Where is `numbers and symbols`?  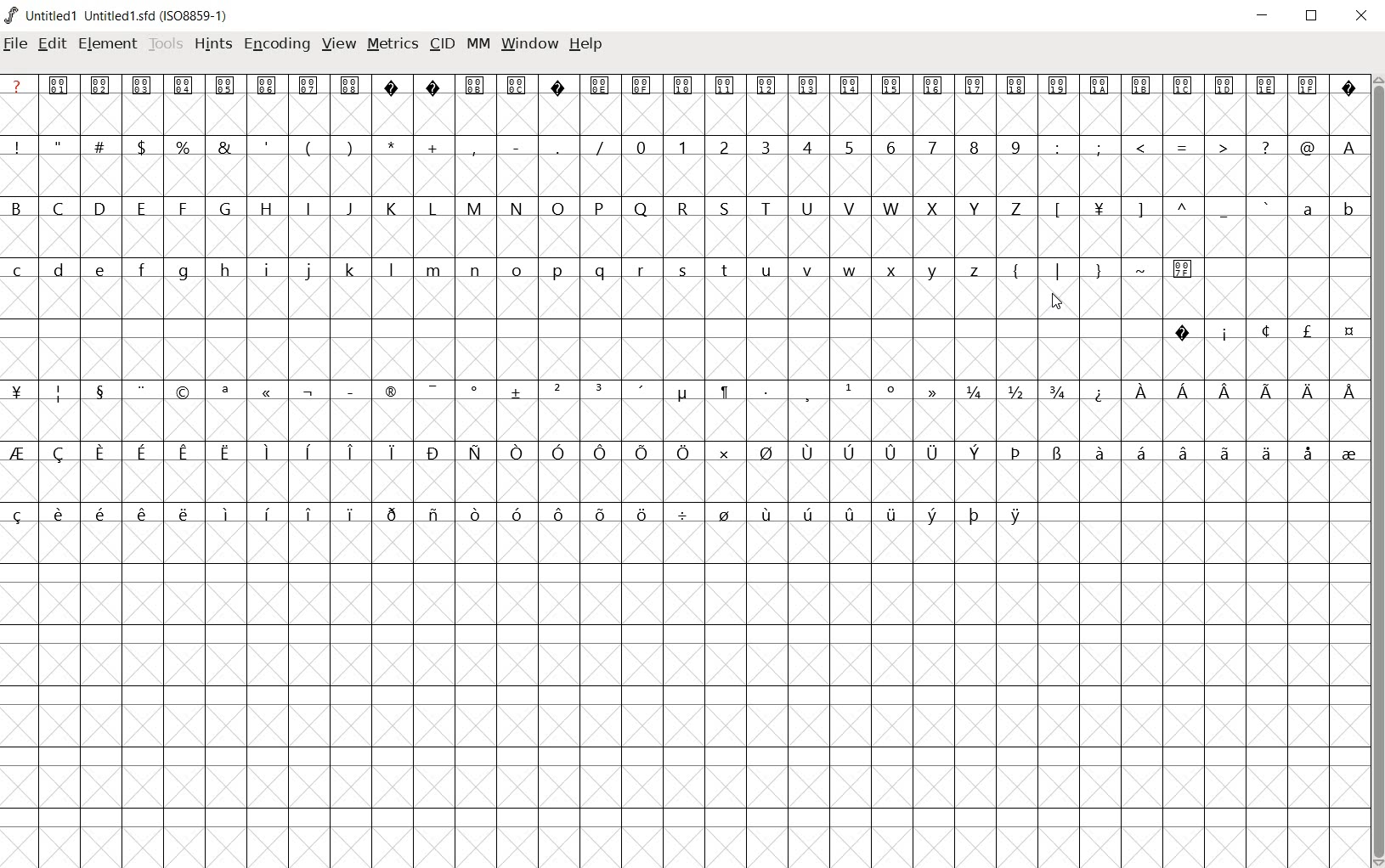 numbers and symbols is located at coordinates (685, 146).